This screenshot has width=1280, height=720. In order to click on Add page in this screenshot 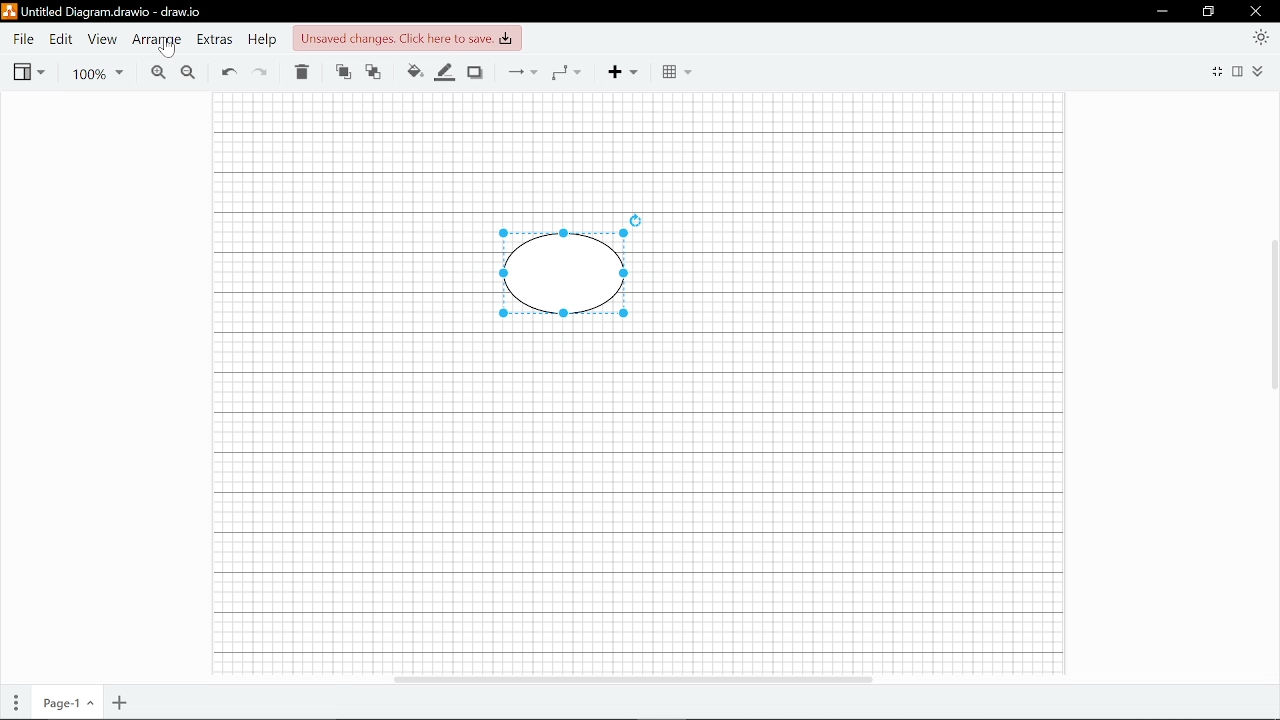, I will do `click(117, 704)`.